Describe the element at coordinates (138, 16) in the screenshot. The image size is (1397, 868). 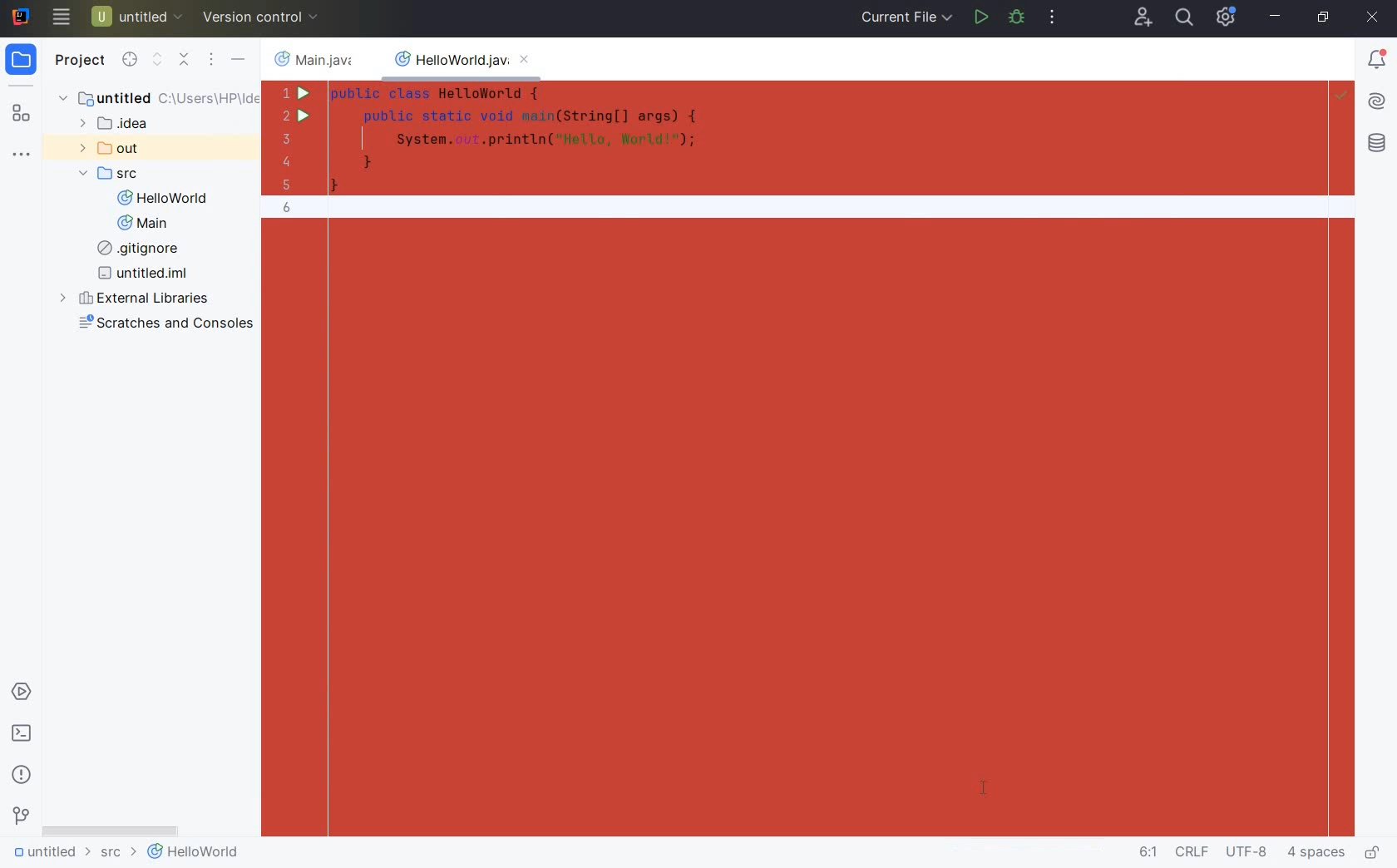
I see `untitled project file` at that location.